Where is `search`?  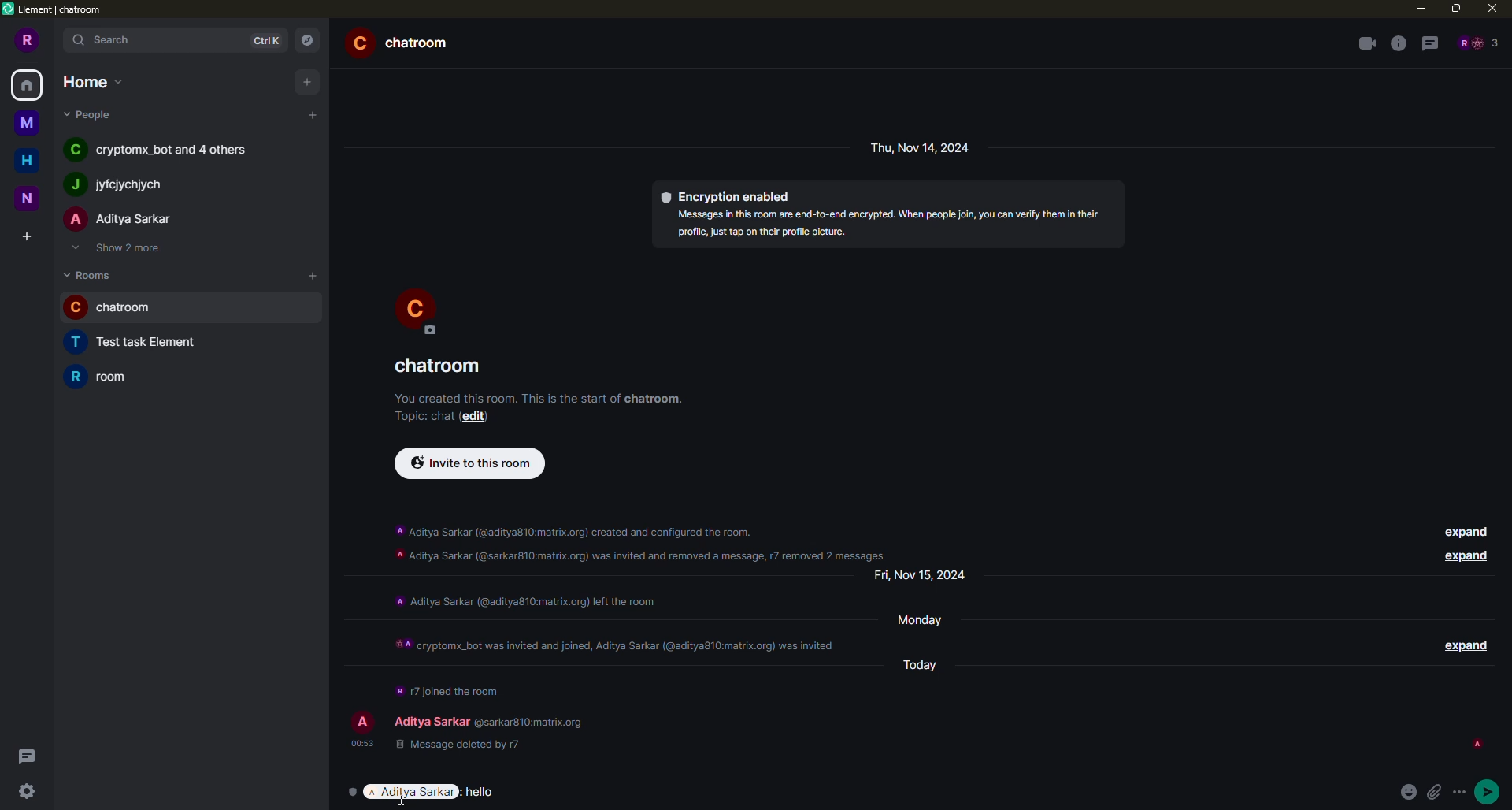
search is located at coordinates (104, 41).